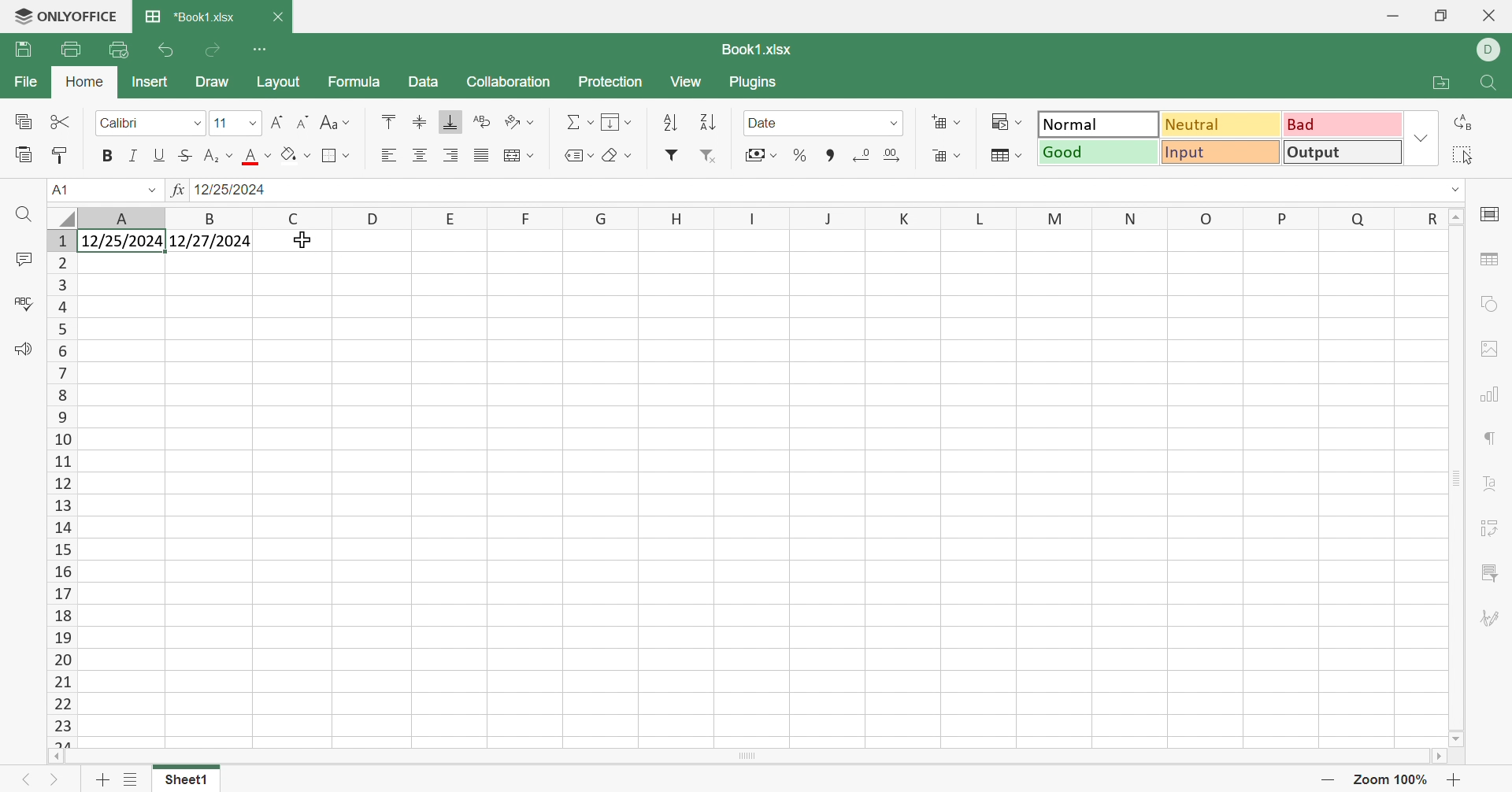  I want to click on Formula, so click(356, 84).